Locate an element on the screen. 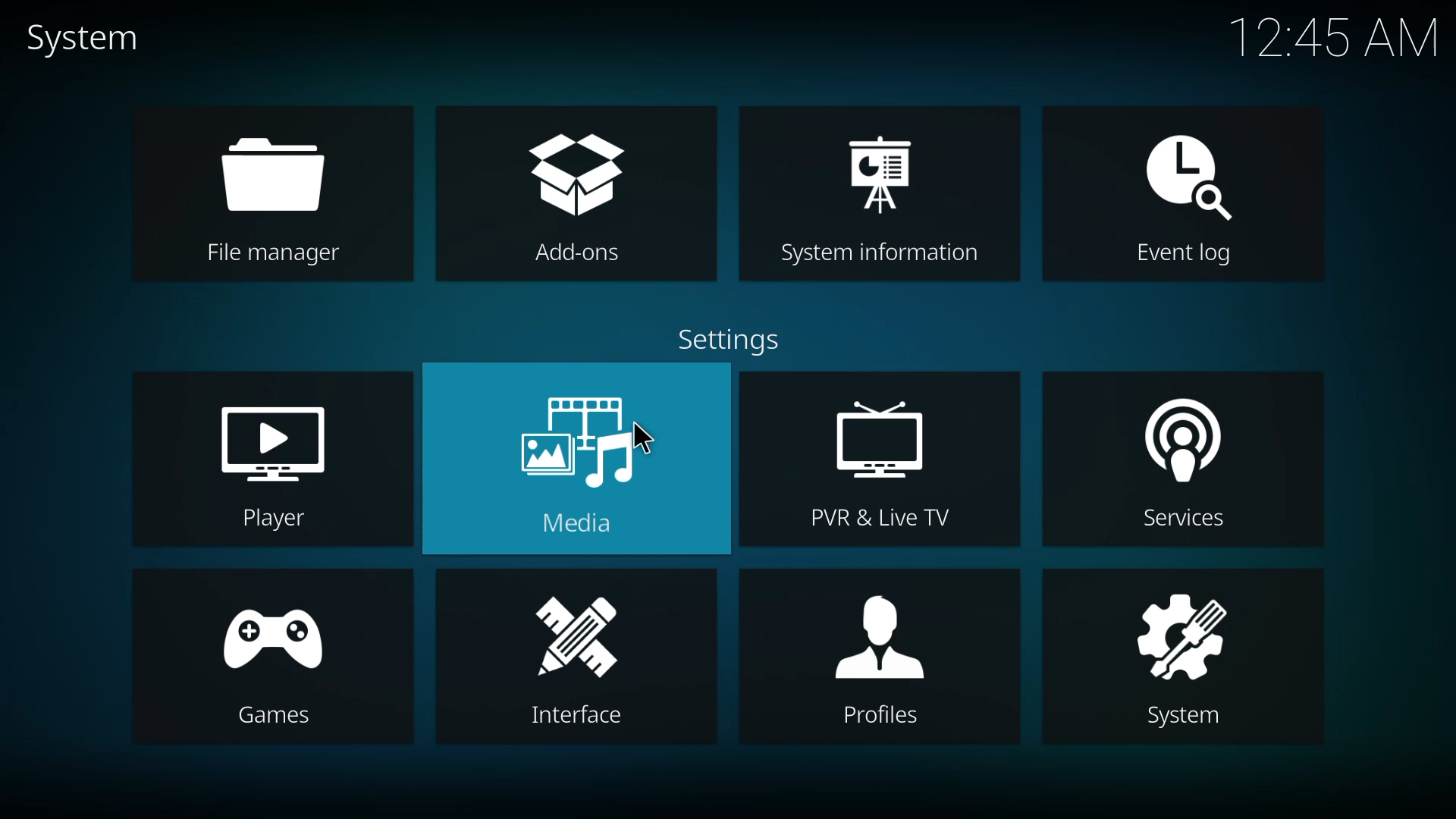 The width and height of the screenshot is (1456, 819). settings is located at coordinates (730, 342).